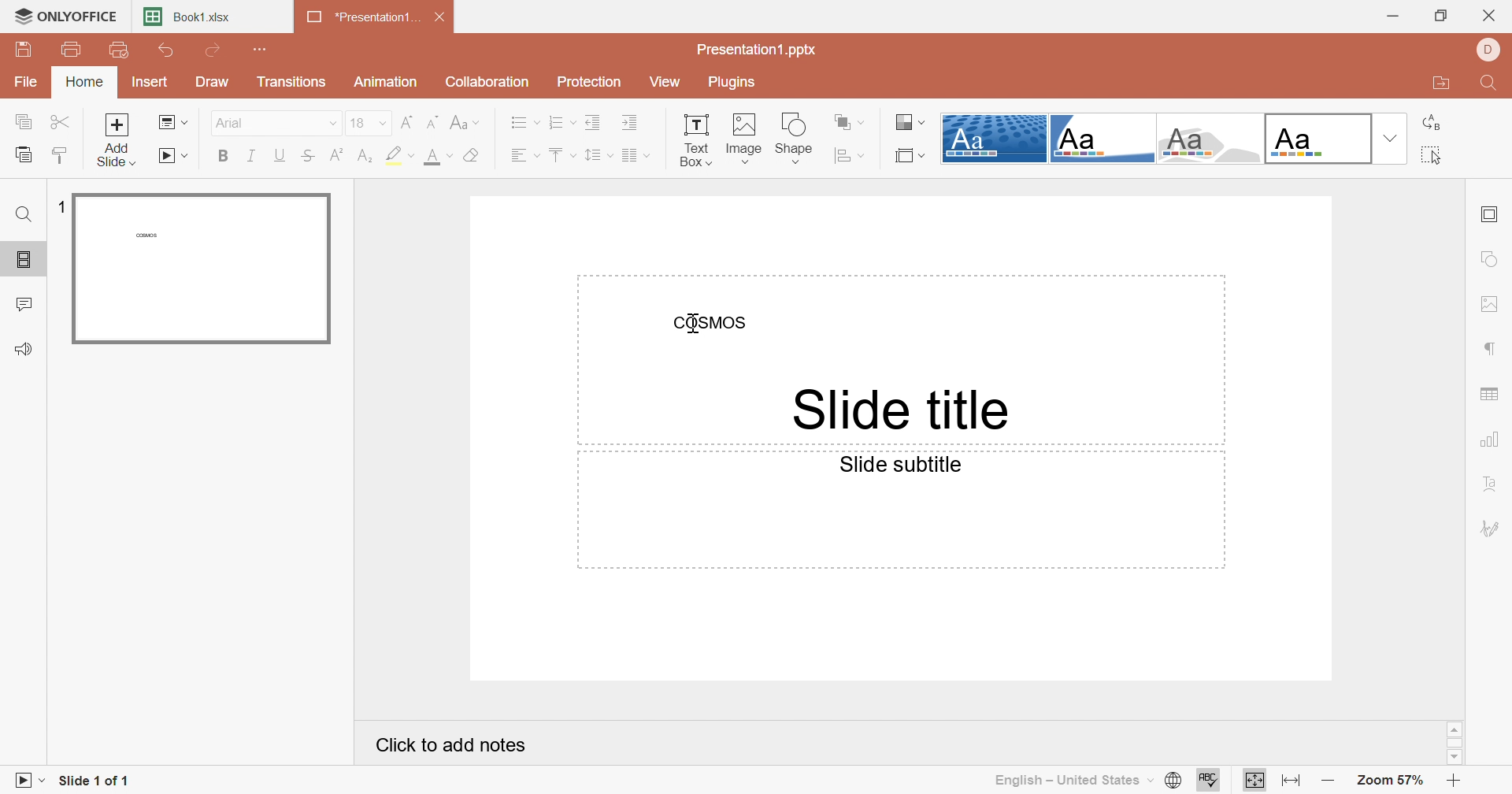  What do you see at coordinates (251, 155) in the screenshot?
I see `Italic` at bounding box center [251, 155].